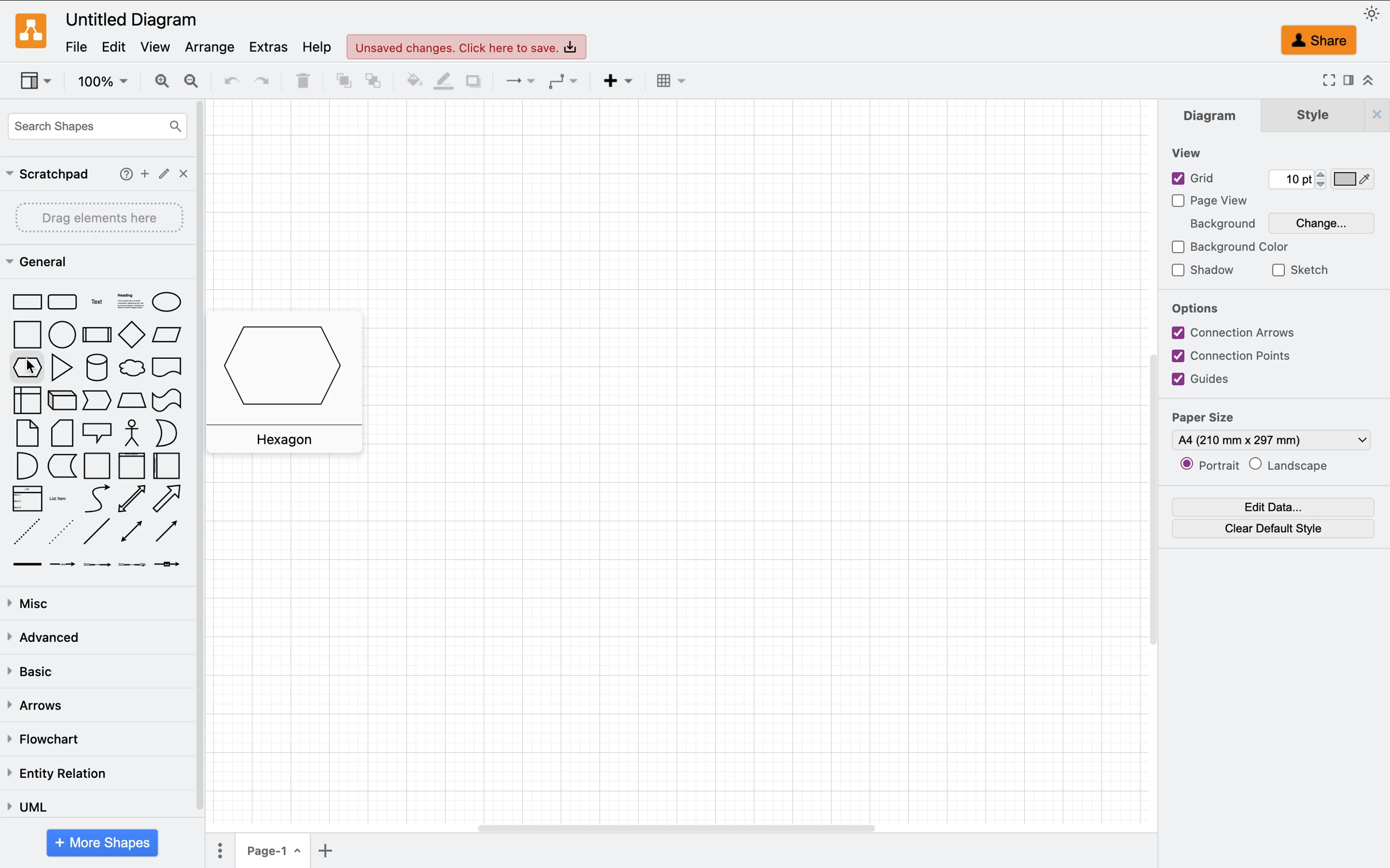 The width and height of the screenshot is (1390, 868). What do you see at coordinates (26, 464) in the screenshot?
I see `and` at bounding box center [26, 464].